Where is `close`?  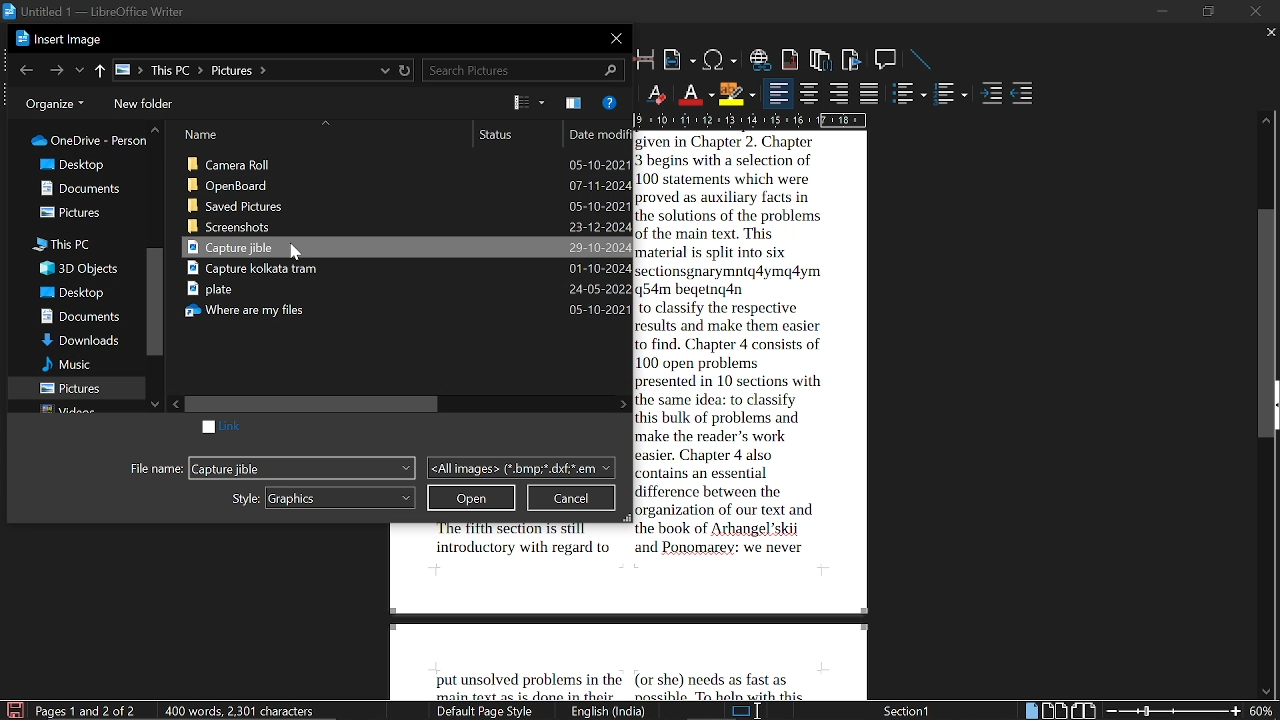
close is located at coordinates (616, 36).